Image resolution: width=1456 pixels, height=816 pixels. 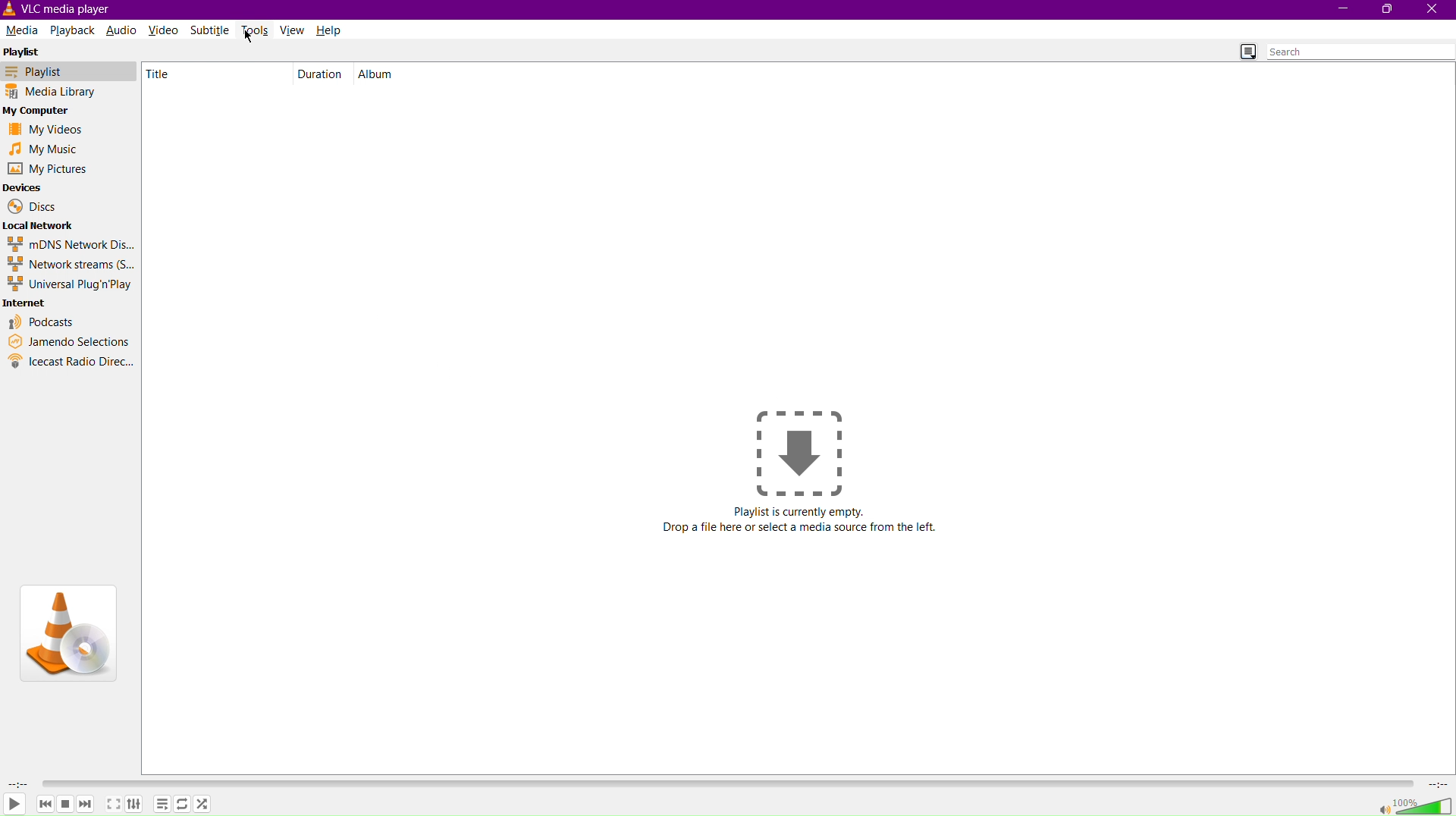 I want to click on Help, so click(x=331, y=29).